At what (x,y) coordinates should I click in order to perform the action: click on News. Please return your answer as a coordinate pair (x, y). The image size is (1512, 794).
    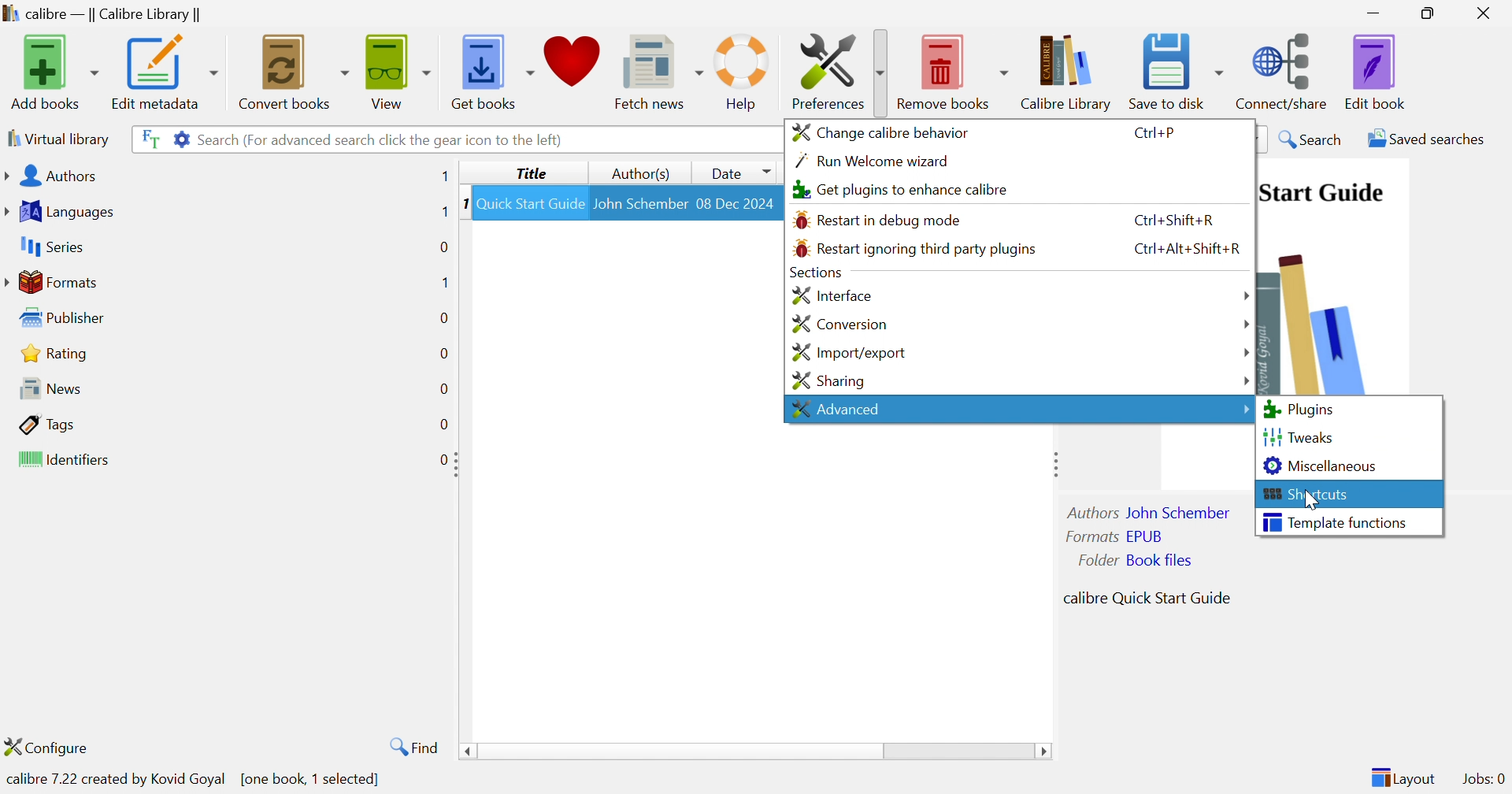
    Looking at the image, I should click on (46, 388).